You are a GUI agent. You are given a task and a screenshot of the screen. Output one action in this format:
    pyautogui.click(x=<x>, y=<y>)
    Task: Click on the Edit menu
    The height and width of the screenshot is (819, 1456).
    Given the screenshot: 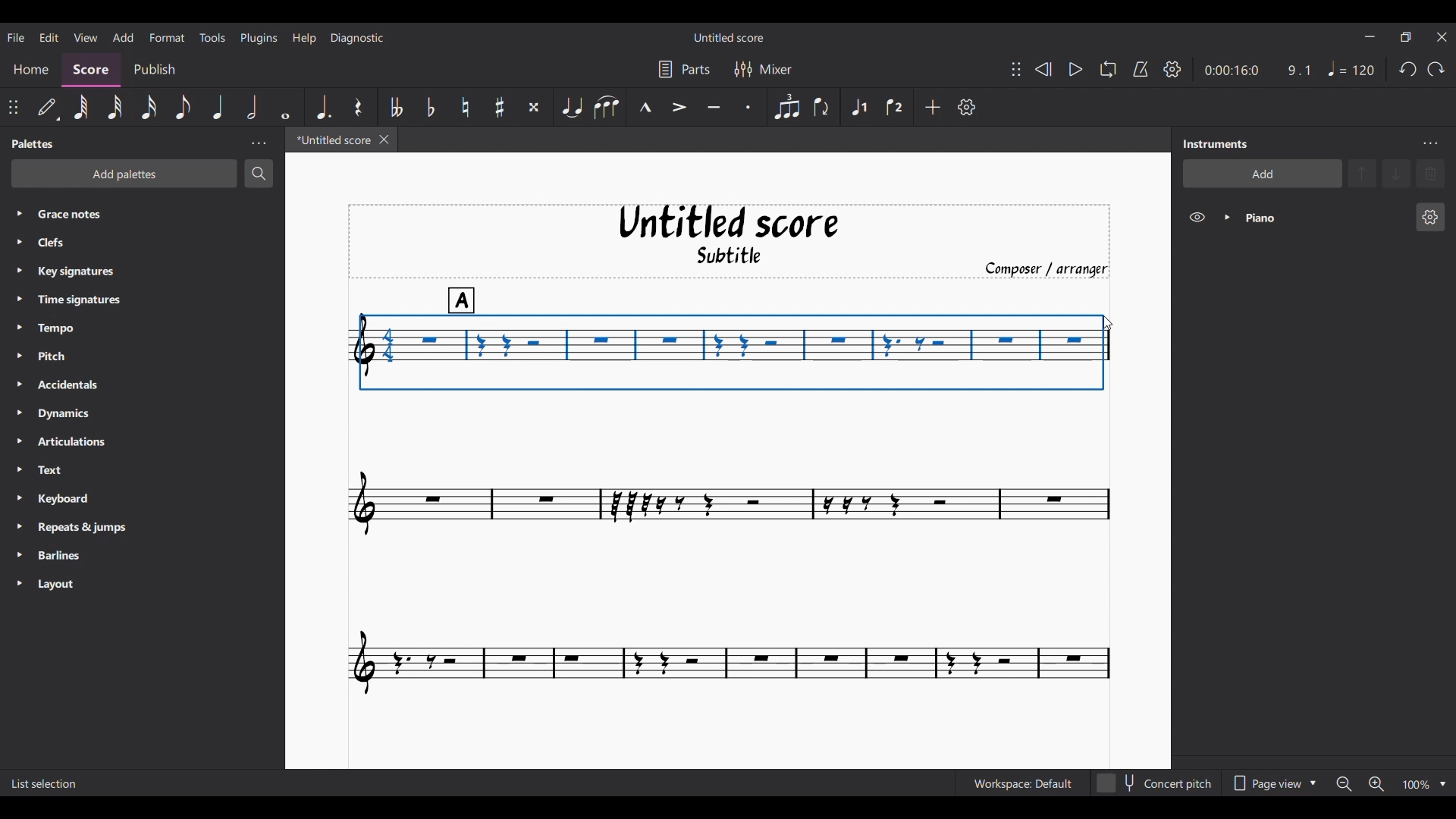 What is the action you would take?
    pyautogui.click(x=48, y=36)
    